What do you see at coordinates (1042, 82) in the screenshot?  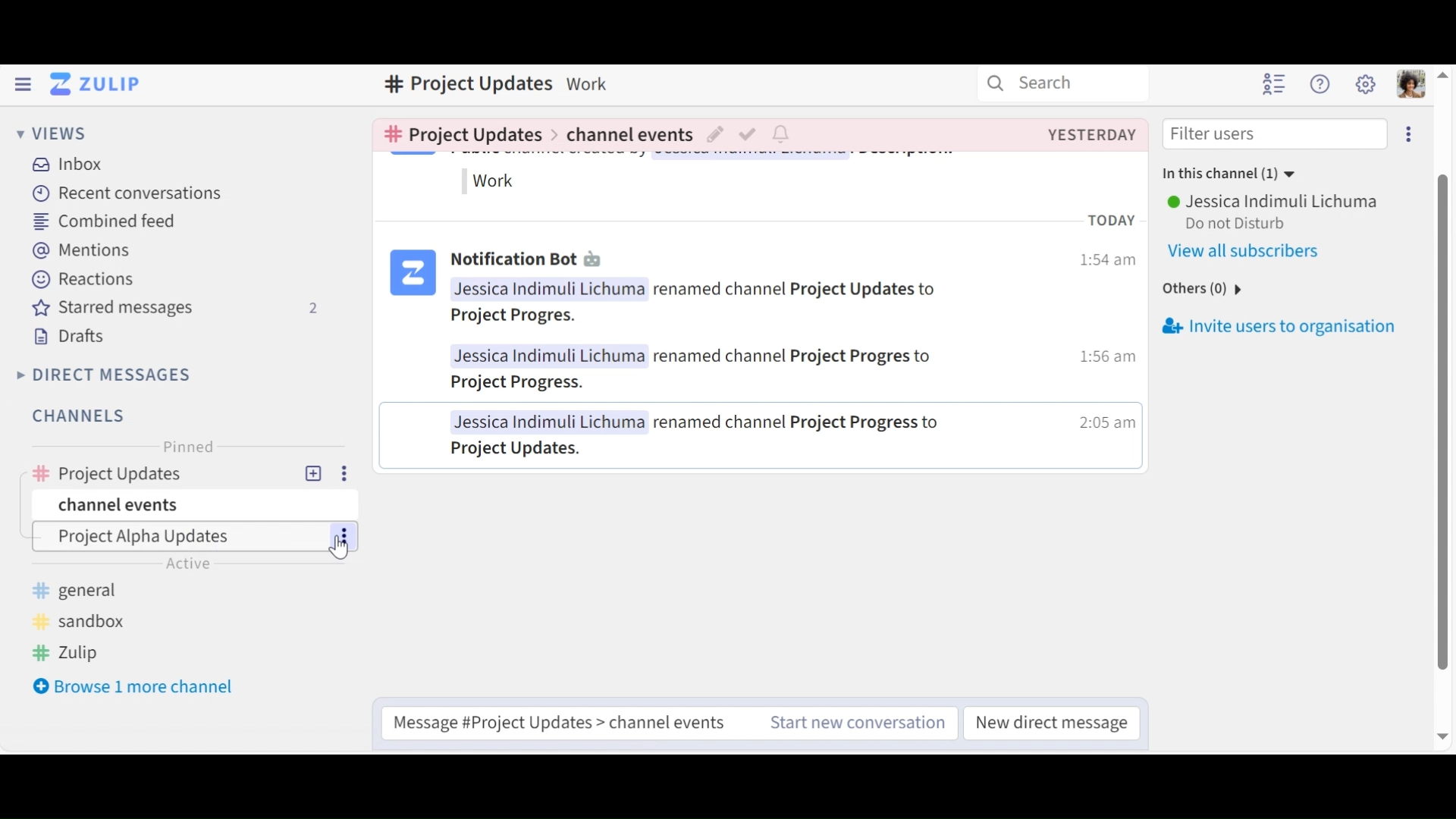 I see `Search` at bounding box center [1042, 82].